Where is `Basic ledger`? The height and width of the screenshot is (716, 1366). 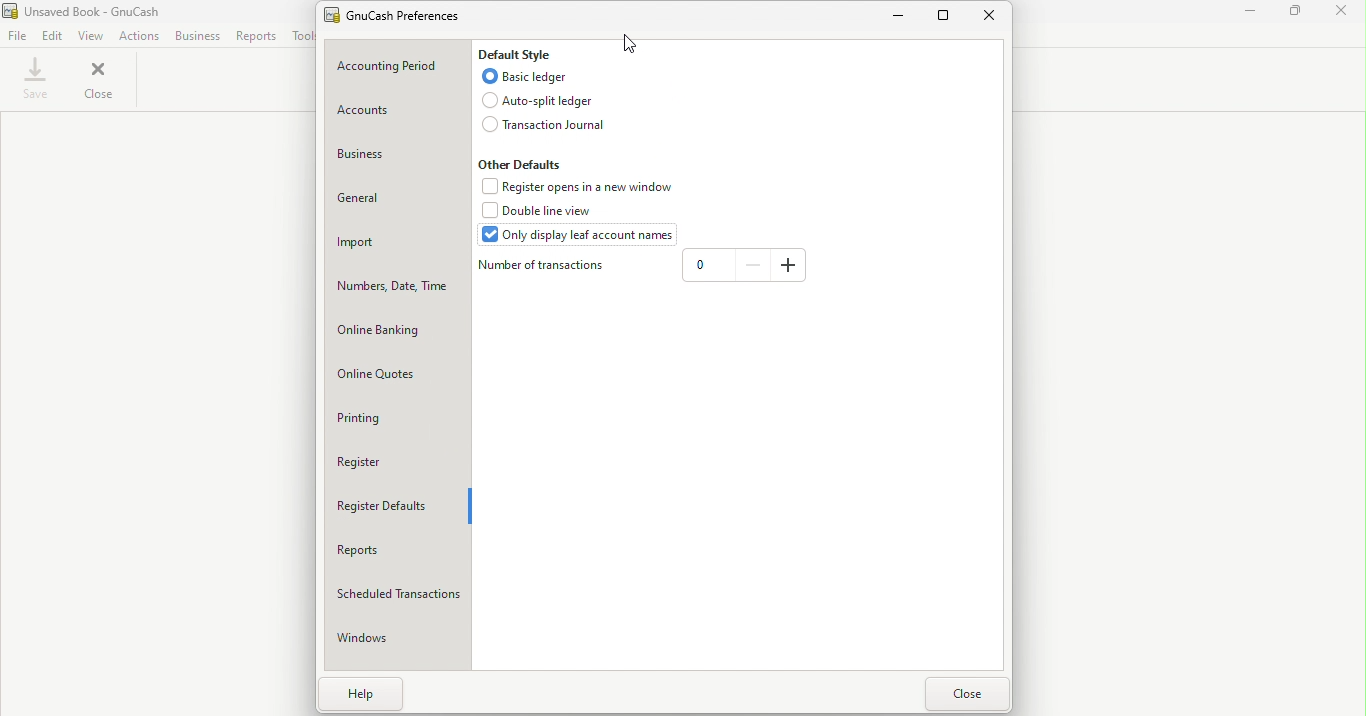
Basic ledger is located at coordinates (521, 76).